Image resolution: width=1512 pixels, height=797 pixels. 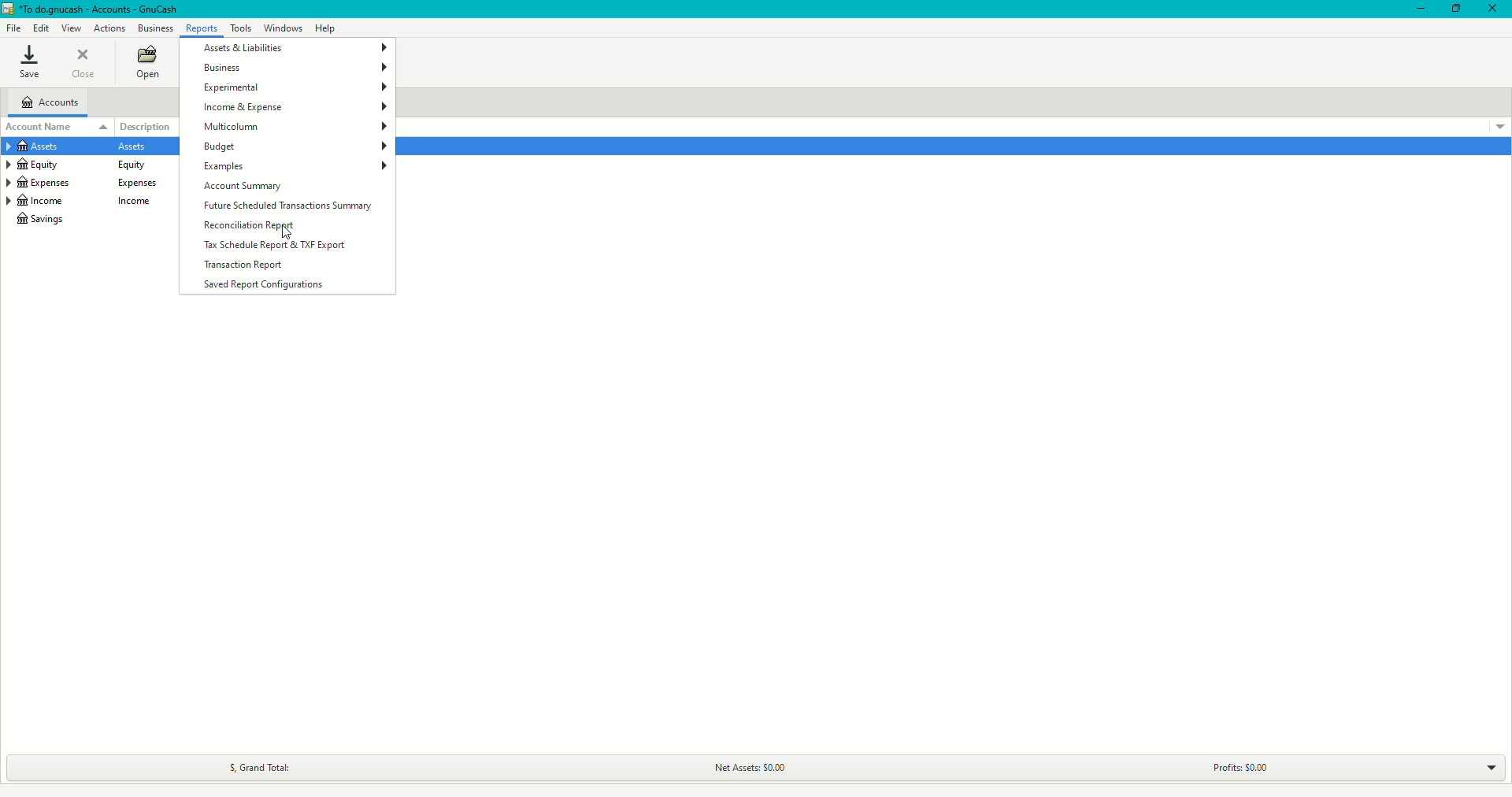 I want to click on cursor, so click(x=294, y=238).